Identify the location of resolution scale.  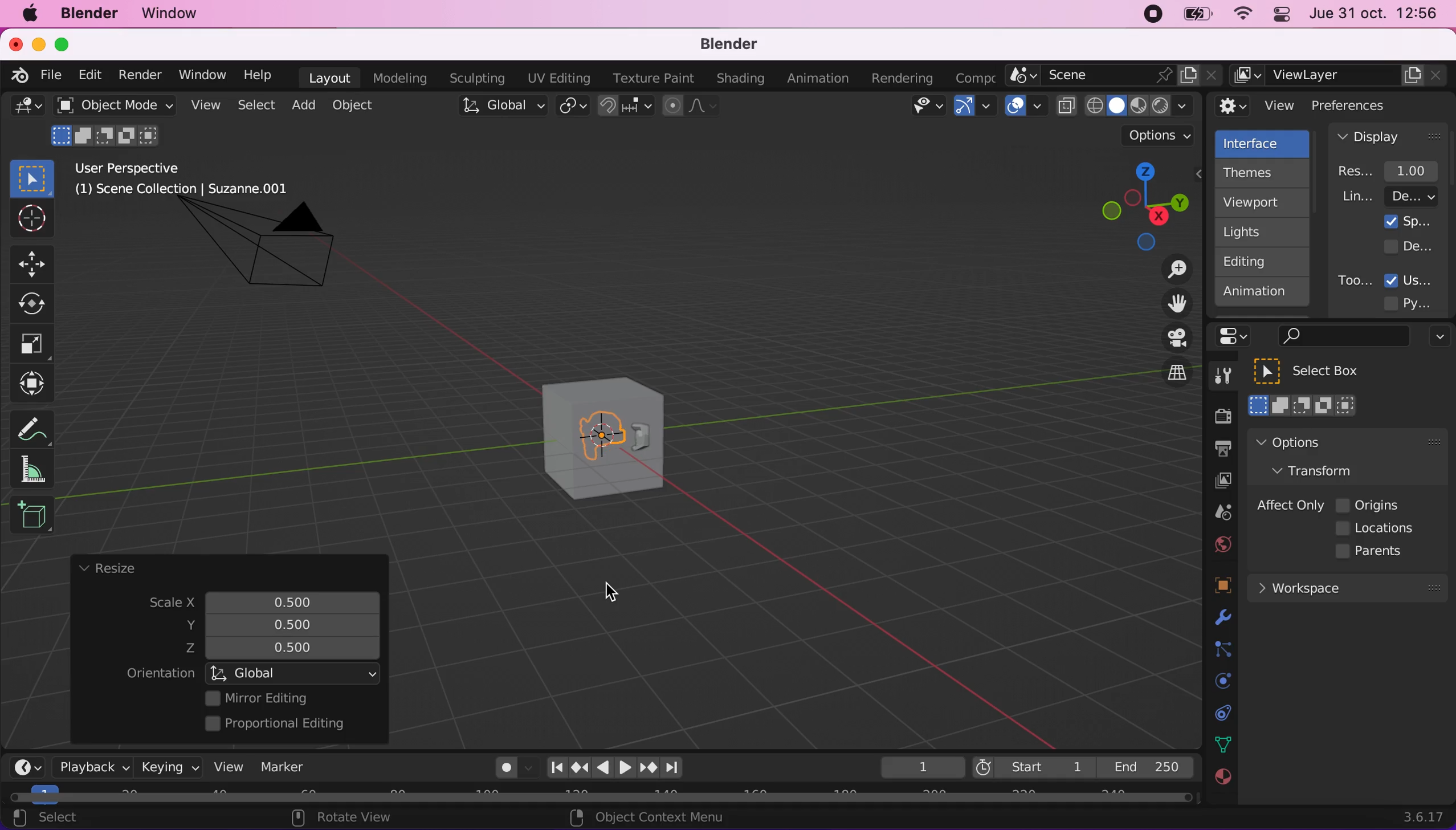
(1394, 170).